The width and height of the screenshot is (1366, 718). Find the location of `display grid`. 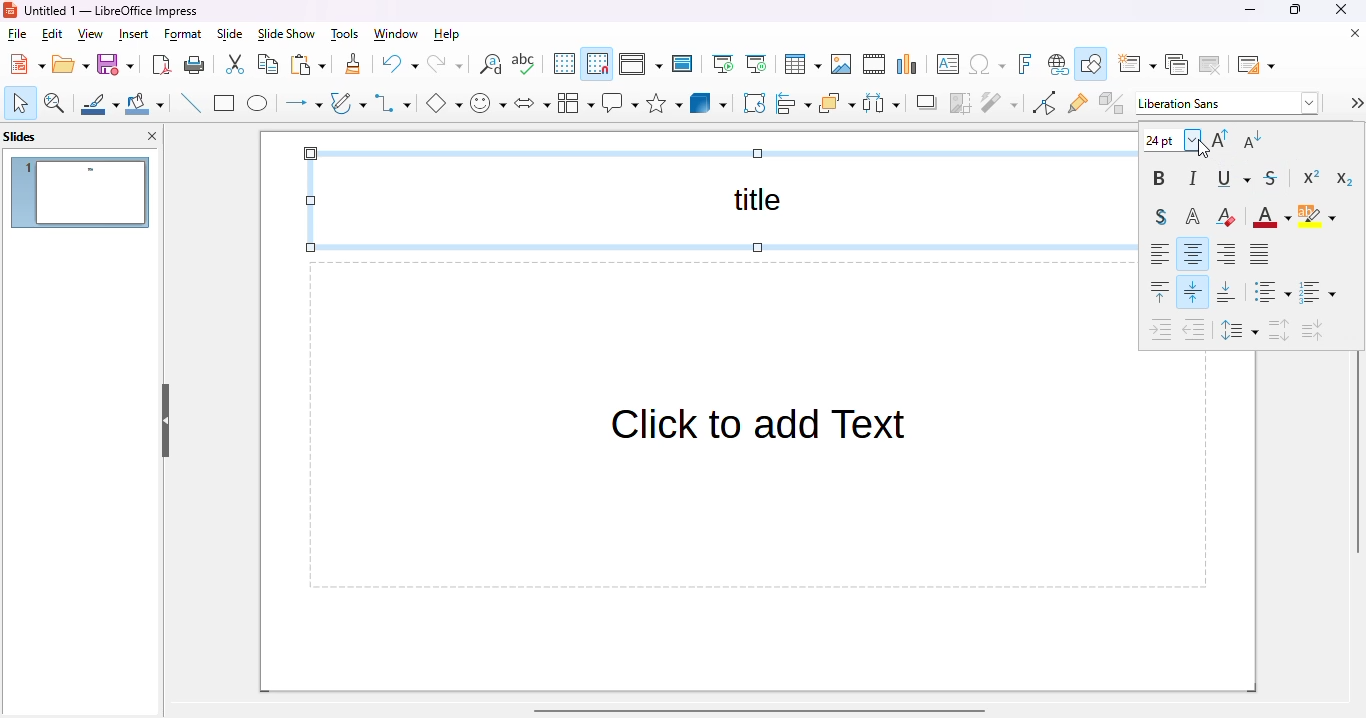

display grid is located at coordinates (564, 63).